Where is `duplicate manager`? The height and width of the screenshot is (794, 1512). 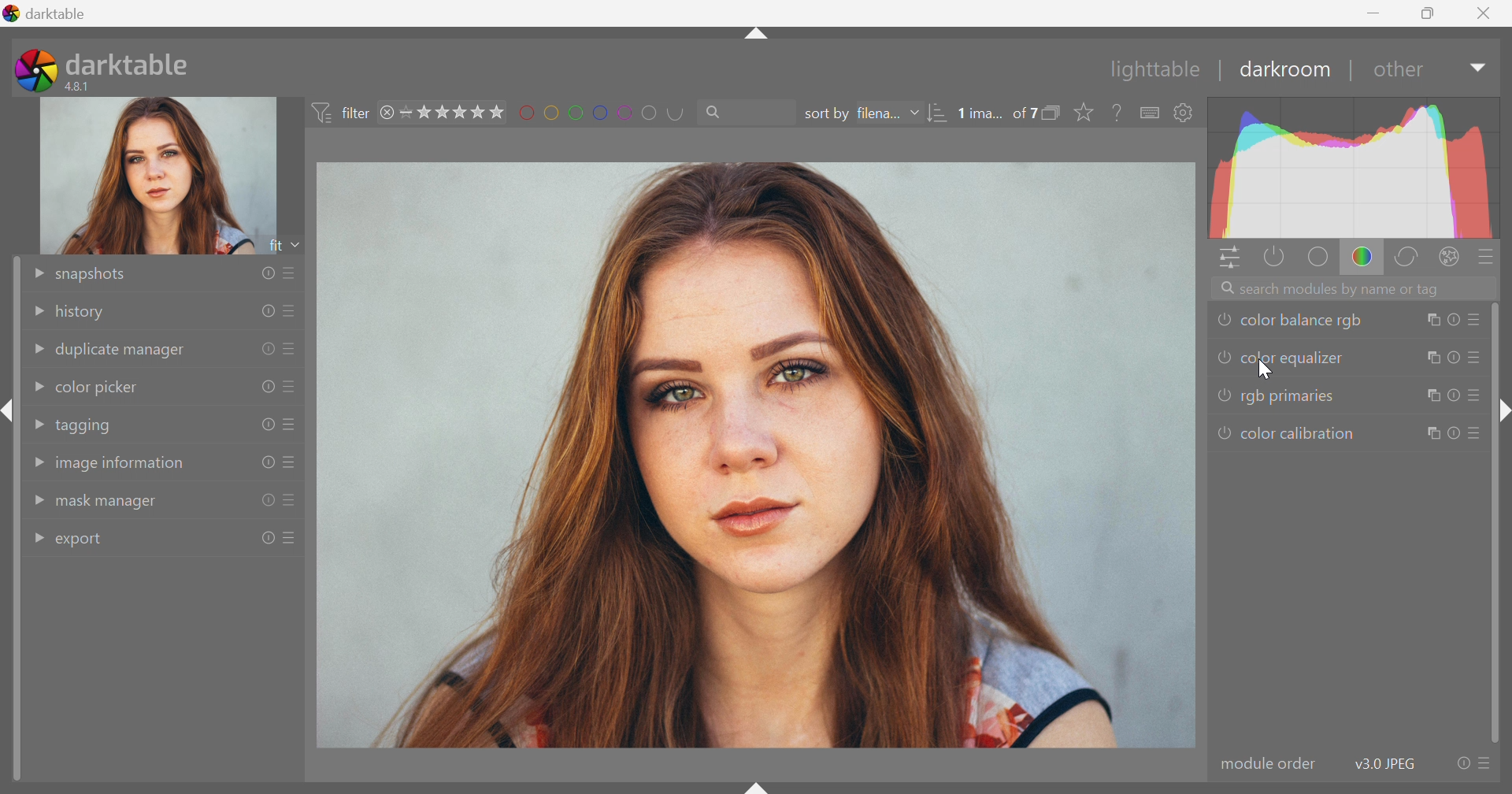 duplicate manager is located at coordinates (122, 351).